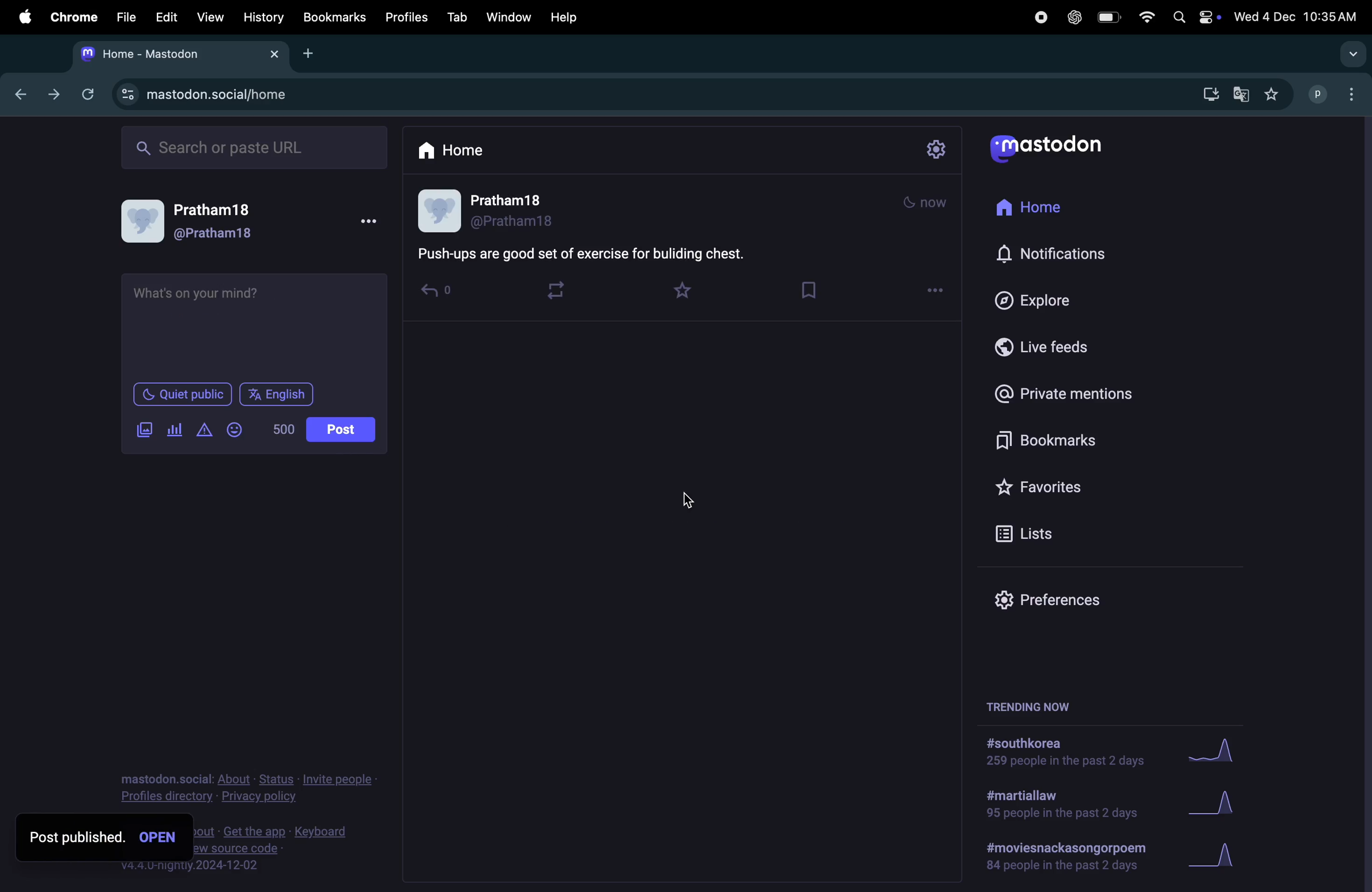 The width and height of the screenshot is (1372, 892). Describe the element at coordinates (88, 93) in the screenshot. I see `refresh` at that location.